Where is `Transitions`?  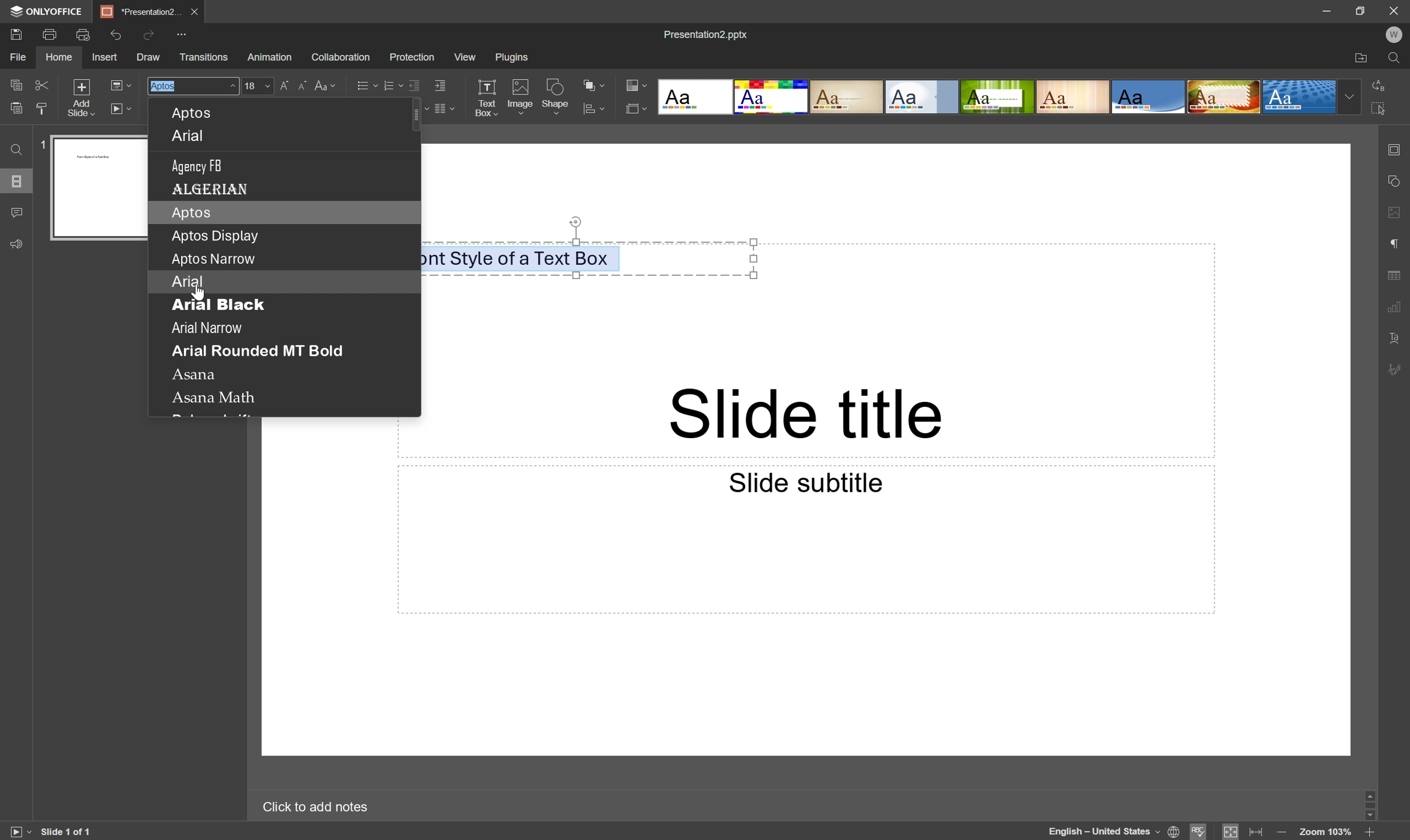
Transitions is located at coordinates (204, 57).